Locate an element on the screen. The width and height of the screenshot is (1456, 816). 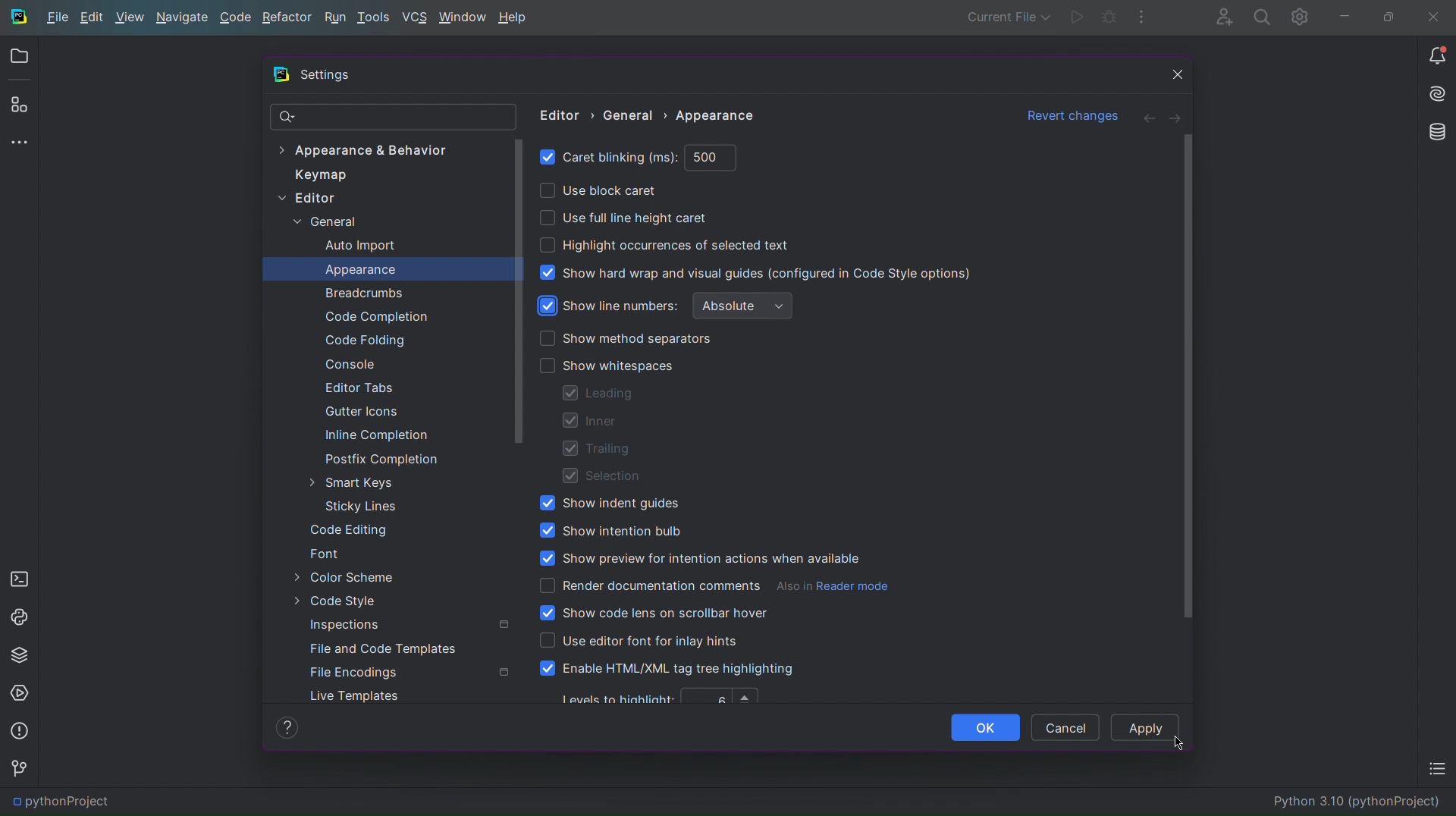
Back is located at coordinates (1145, 117).